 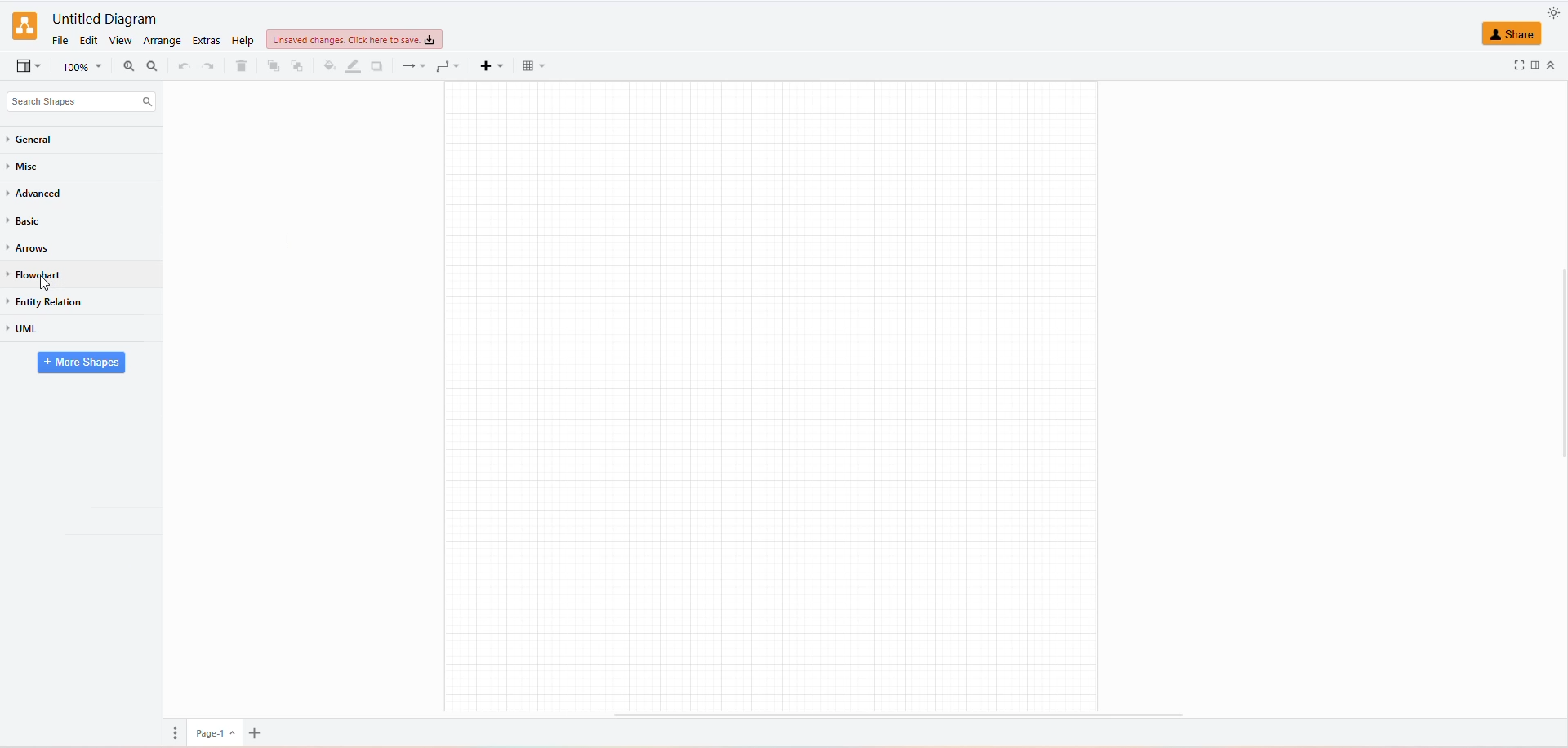 What do you see at coordinates (167, 39) in the screenshot?
I see `` at bounding box center [167, 39].